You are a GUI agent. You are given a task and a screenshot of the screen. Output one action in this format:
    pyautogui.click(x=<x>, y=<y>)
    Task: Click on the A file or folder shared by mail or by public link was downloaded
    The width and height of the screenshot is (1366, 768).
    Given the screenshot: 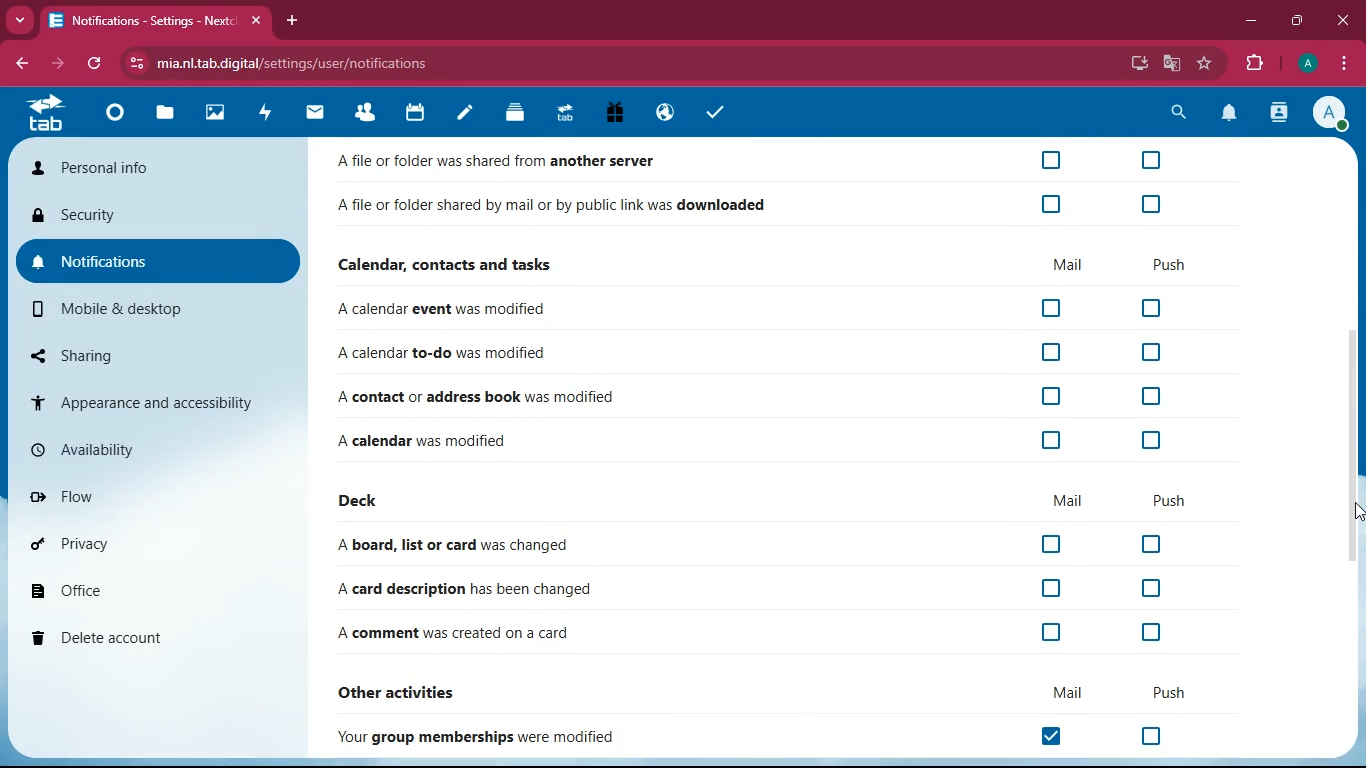 What is the action you would take?
    pyautogui.click(x=553, y=208)
    